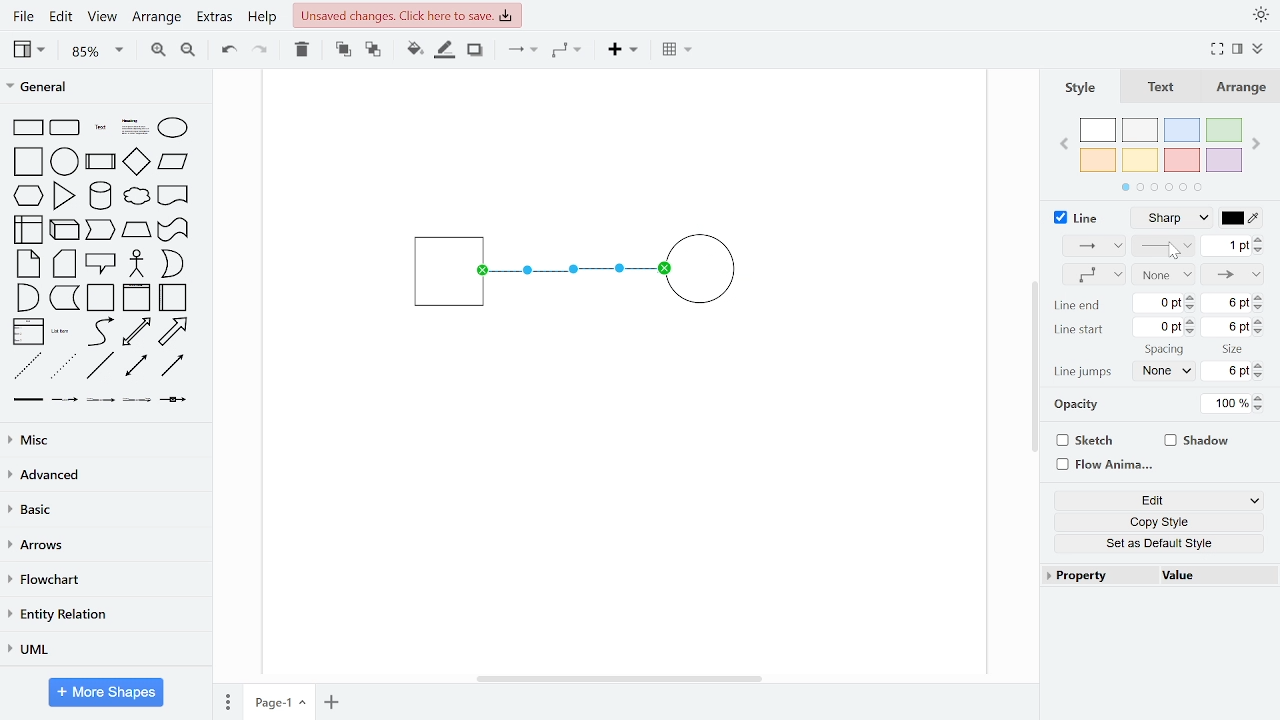 This screenshot has width=1280, height=720. Describe the element at coordinates (99, 230) in the screenshot. I see `step` at that location.